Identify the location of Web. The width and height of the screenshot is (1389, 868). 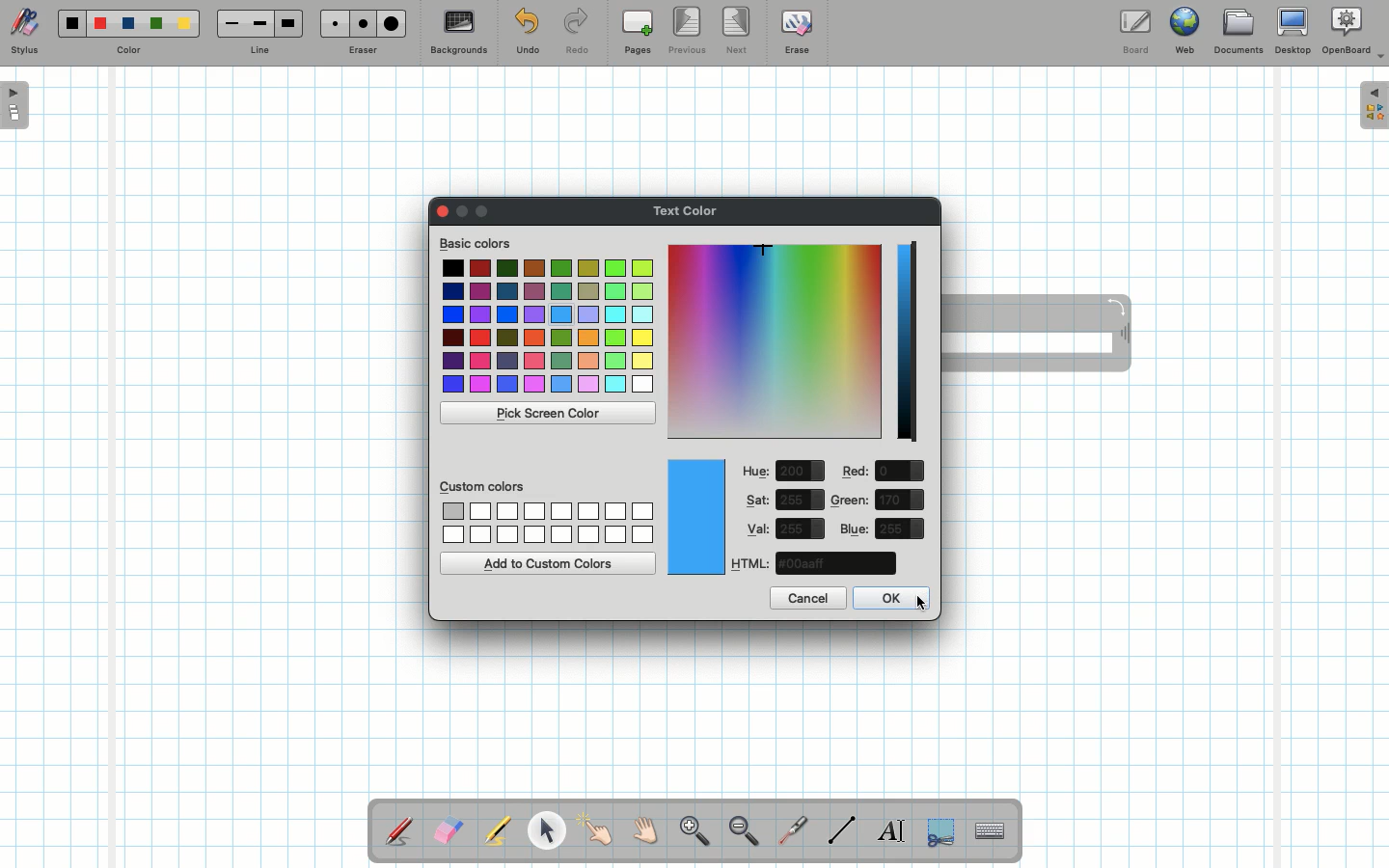
(1184, 35).